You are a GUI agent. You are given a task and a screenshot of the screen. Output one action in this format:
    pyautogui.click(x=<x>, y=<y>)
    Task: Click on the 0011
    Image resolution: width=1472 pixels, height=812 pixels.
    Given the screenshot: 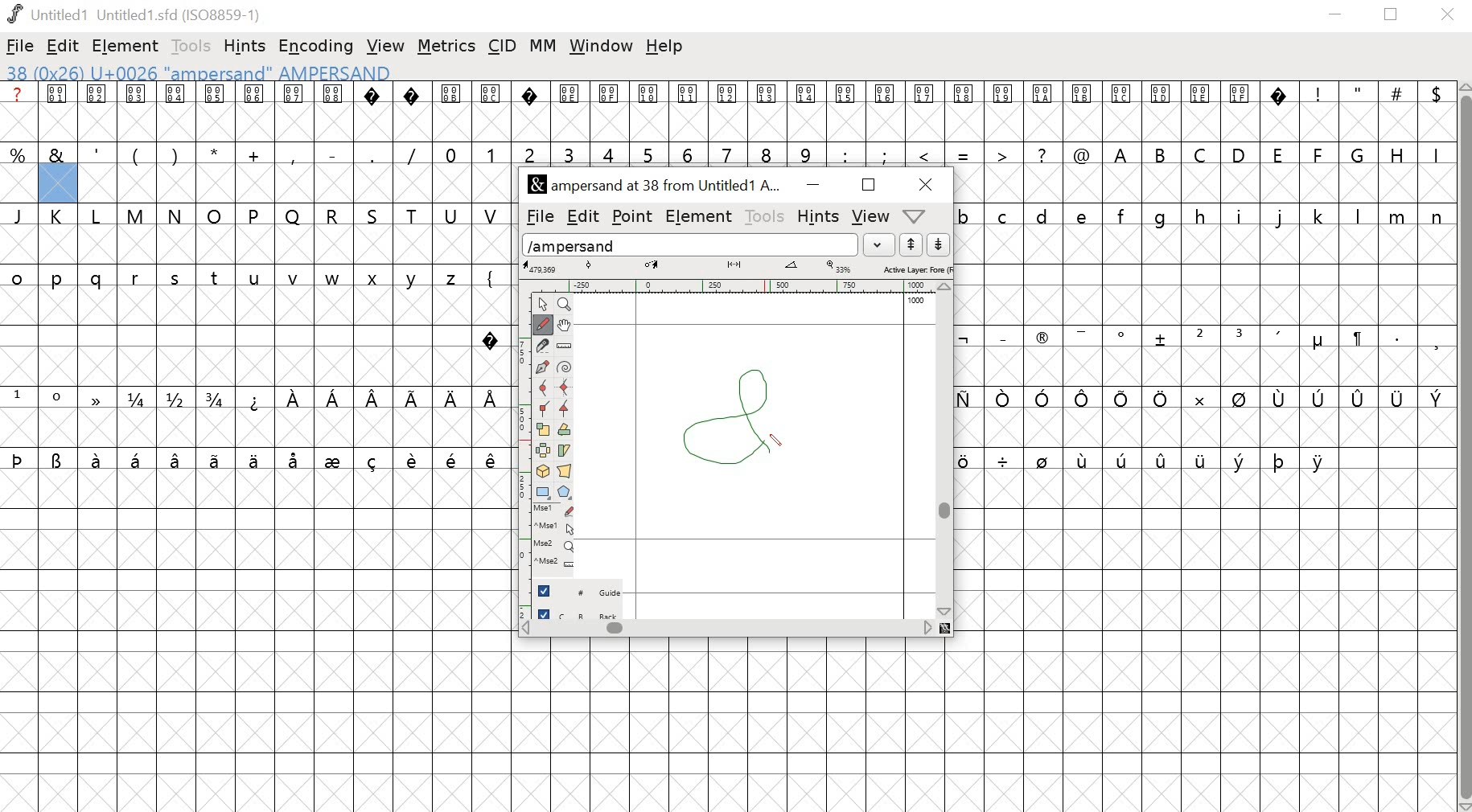 What is the action you would take?
    pyautogui.click(x=692, y=111)
    